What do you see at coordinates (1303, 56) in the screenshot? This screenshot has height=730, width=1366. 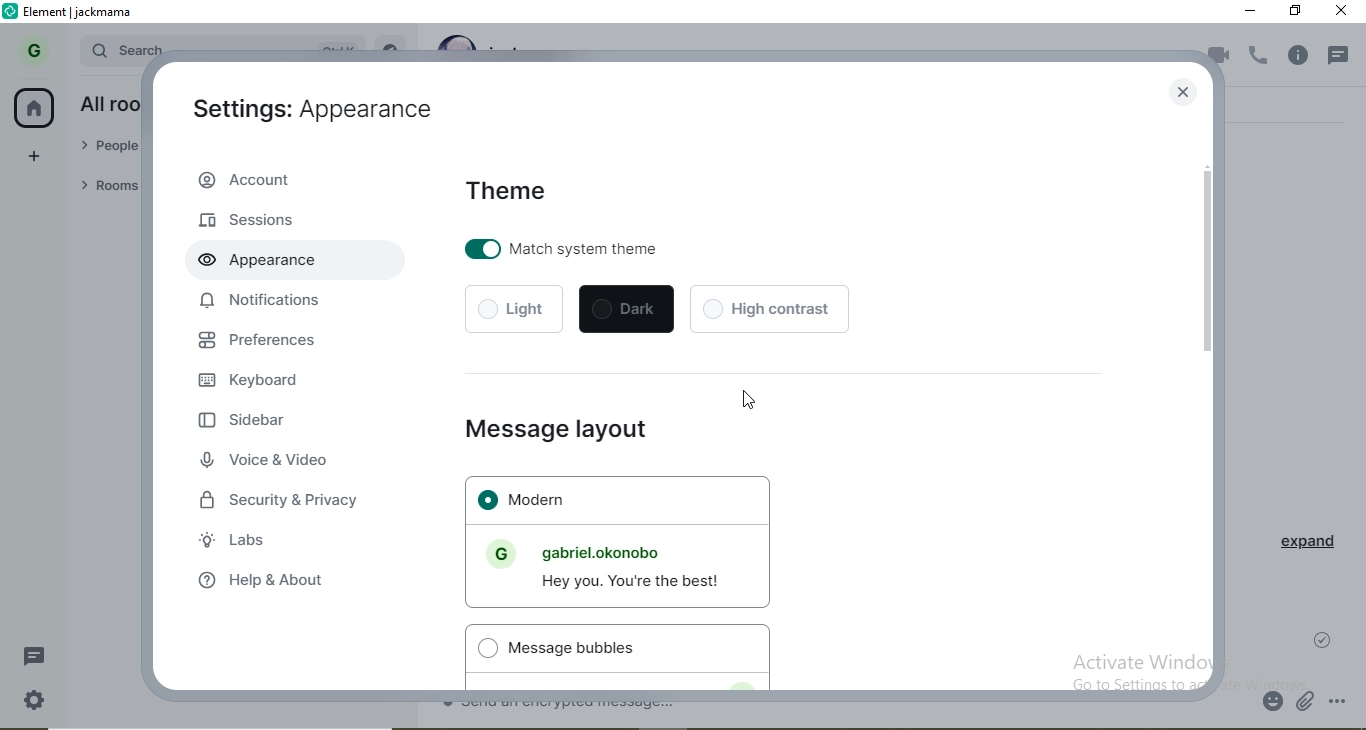 I see `info` at bounding box center [1303, 56].